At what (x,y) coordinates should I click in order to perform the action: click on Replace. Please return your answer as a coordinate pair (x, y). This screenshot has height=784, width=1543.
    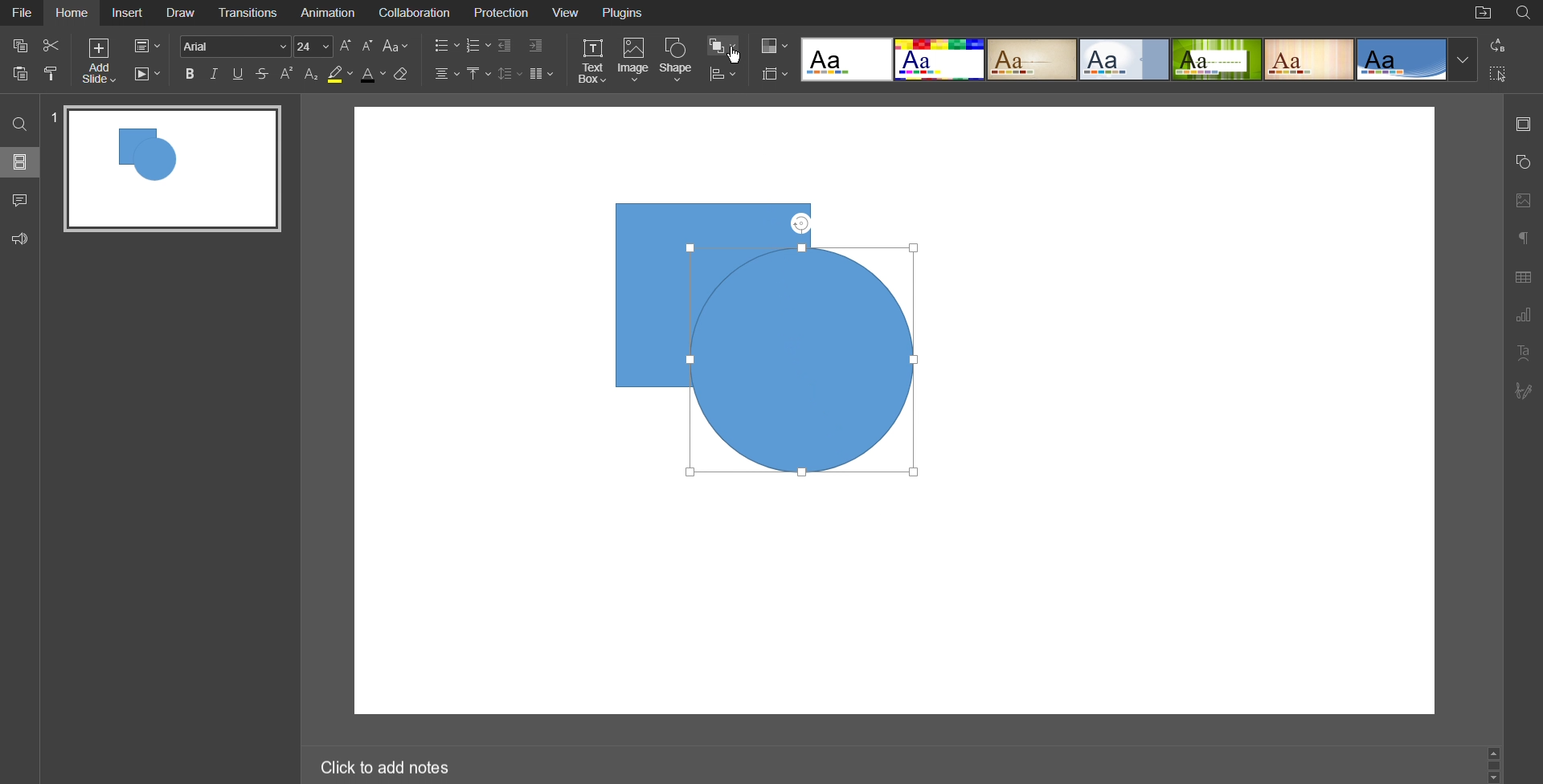
    Looking at the image, I should click on (1496, 45).